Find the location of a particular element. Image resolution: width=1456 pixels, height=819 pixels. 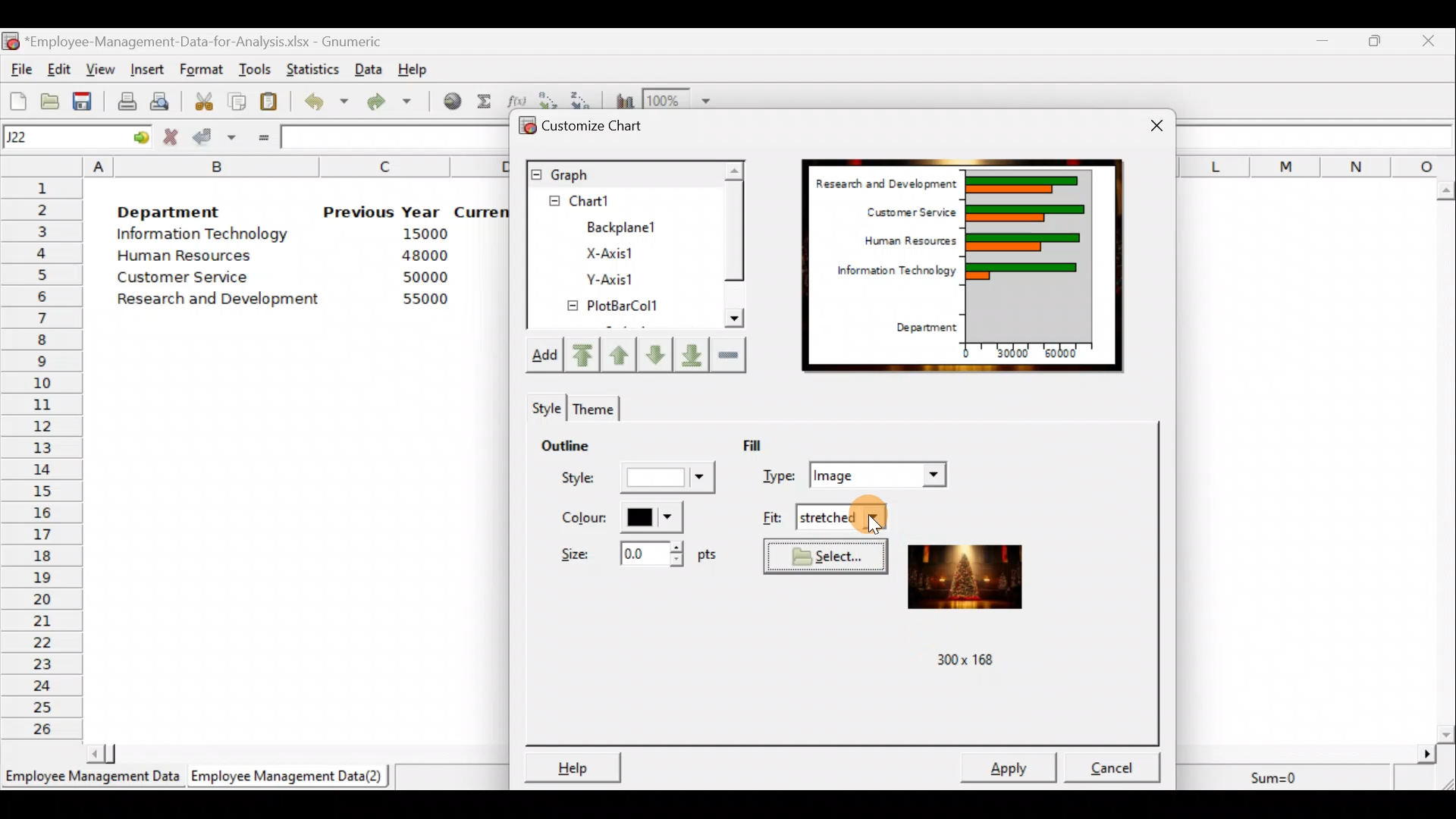

Theme is located at coordinates (597, 406).